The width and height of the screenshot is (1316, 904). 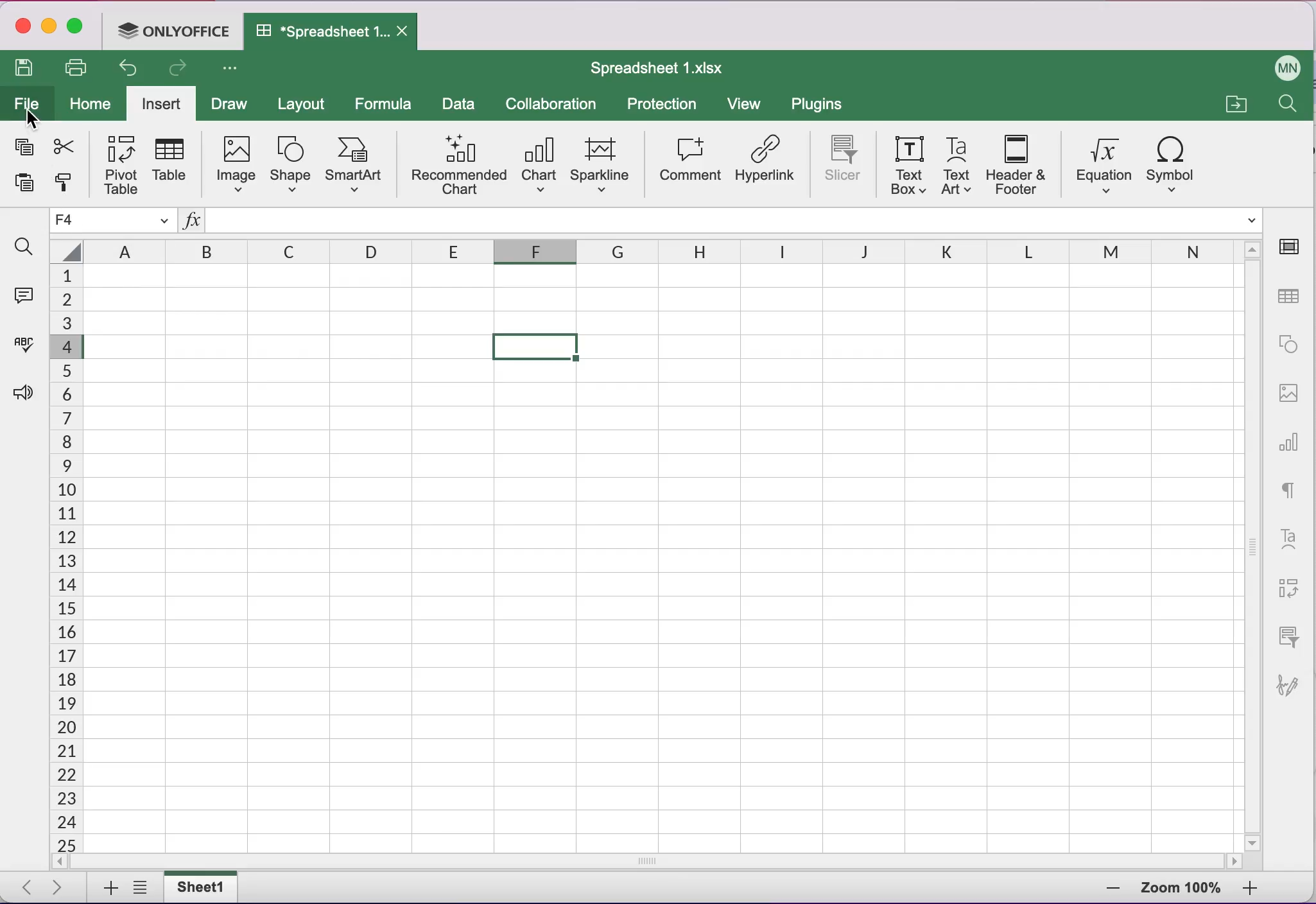 What do you see at coordinates (27, 300) in the screenshot?
I see `comments` at bounding box center [27, 300].